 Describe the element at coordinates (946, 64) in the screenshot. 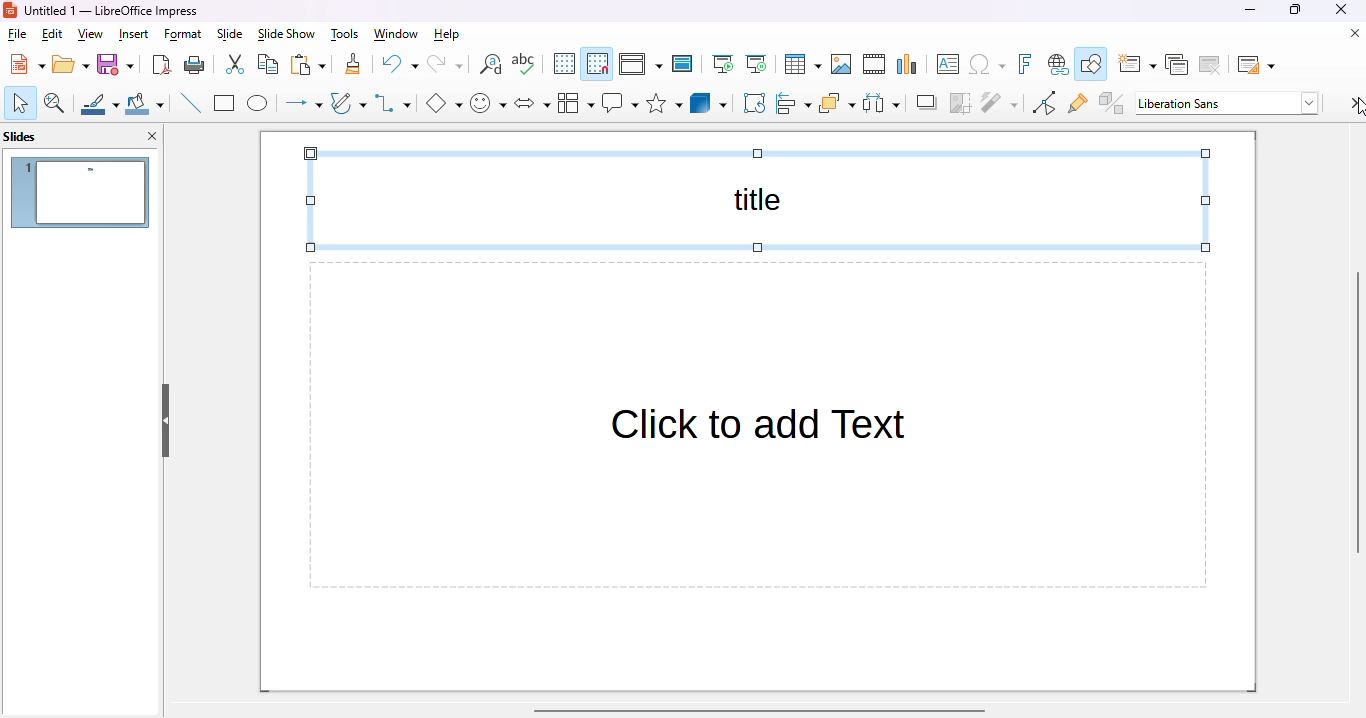

I see `insert text box` at that location.